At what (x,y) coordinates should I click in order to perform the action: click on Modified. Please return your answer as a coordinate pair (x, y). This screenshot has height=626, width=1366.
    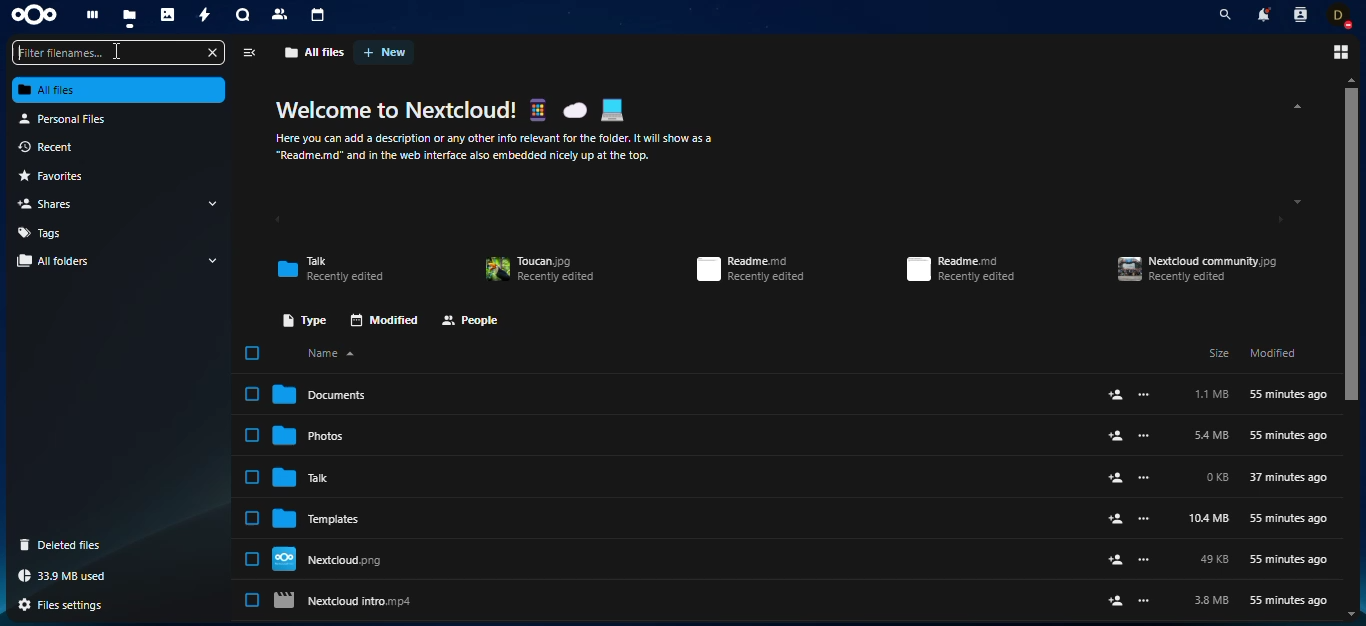
    Looking at the image, I should click on (1273, 352).